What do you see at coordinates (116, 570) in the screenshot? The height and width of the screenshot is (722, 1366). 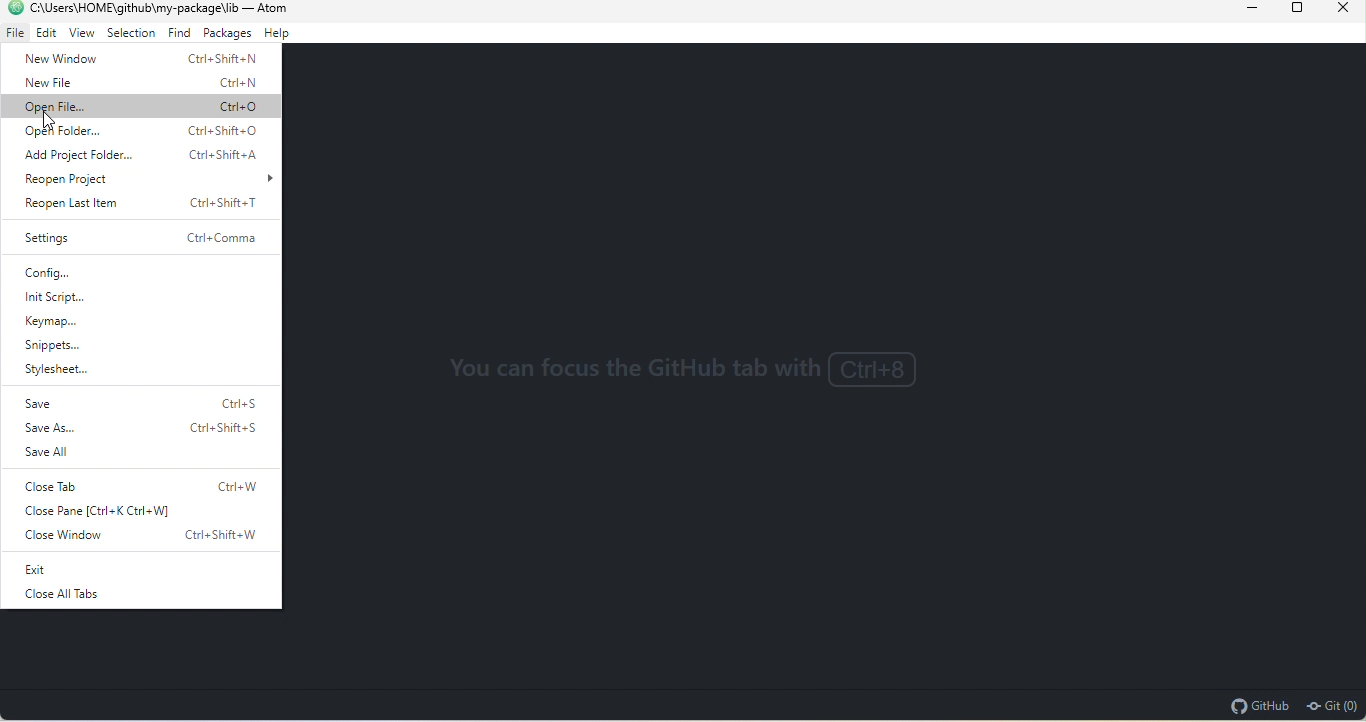 I see `exit` at bounding box center [116, 570].